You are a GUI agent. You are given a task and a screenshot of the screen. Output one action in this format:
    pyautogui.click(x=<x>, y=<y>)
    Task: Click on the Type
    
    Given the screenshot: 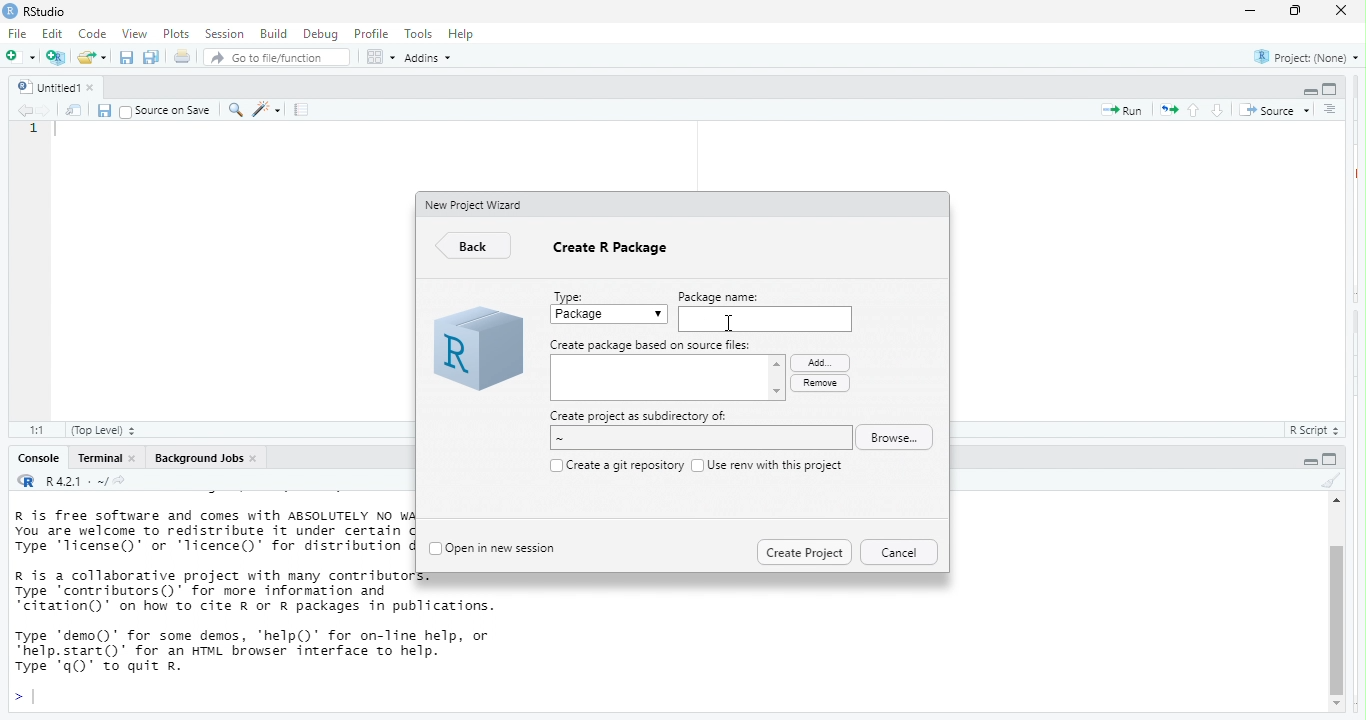 What is the action you would take?
    pyautogui.click(x=572, y=294)
    